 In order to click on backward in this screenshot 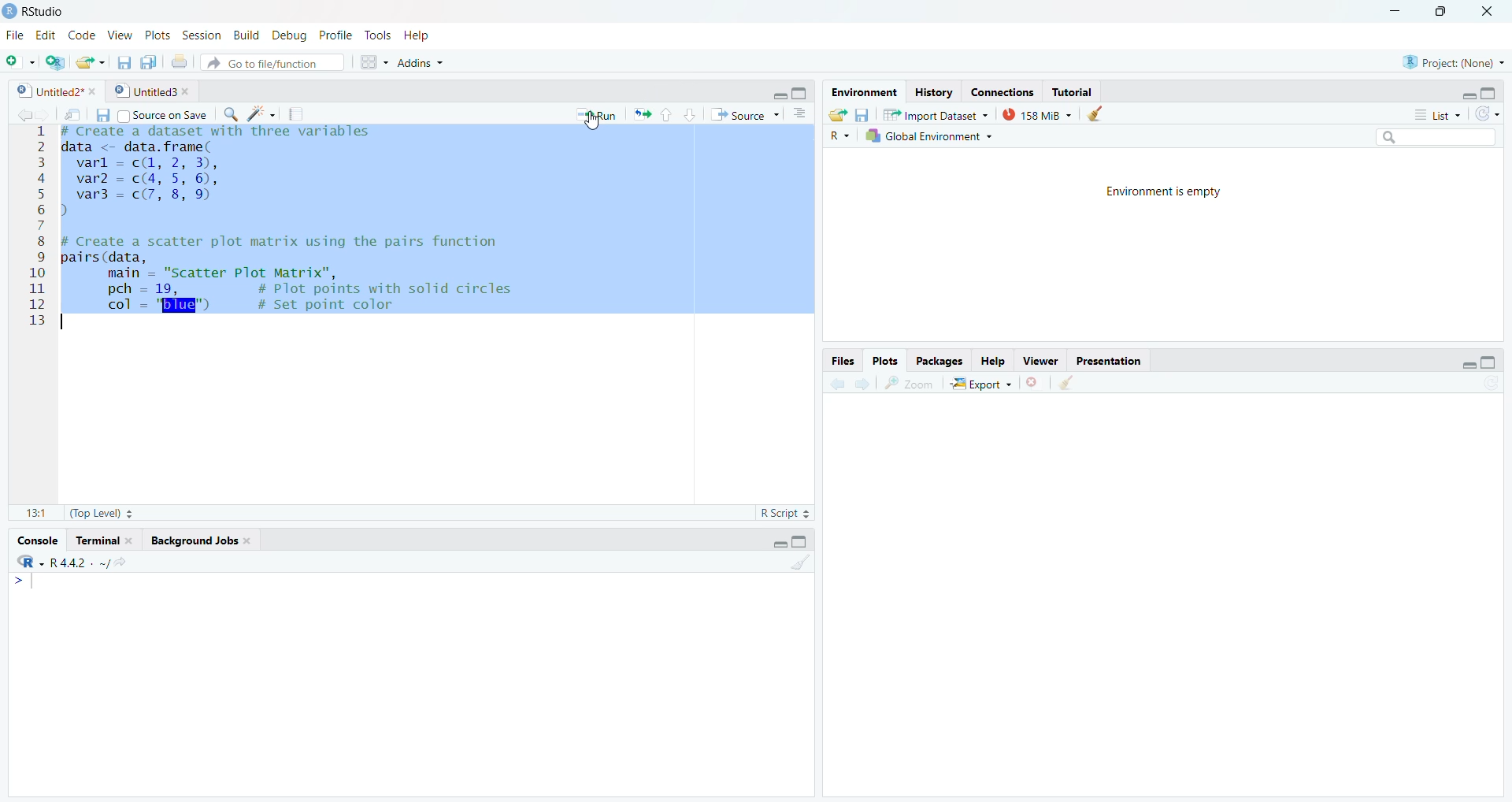, I will do `click(829, 383)`.